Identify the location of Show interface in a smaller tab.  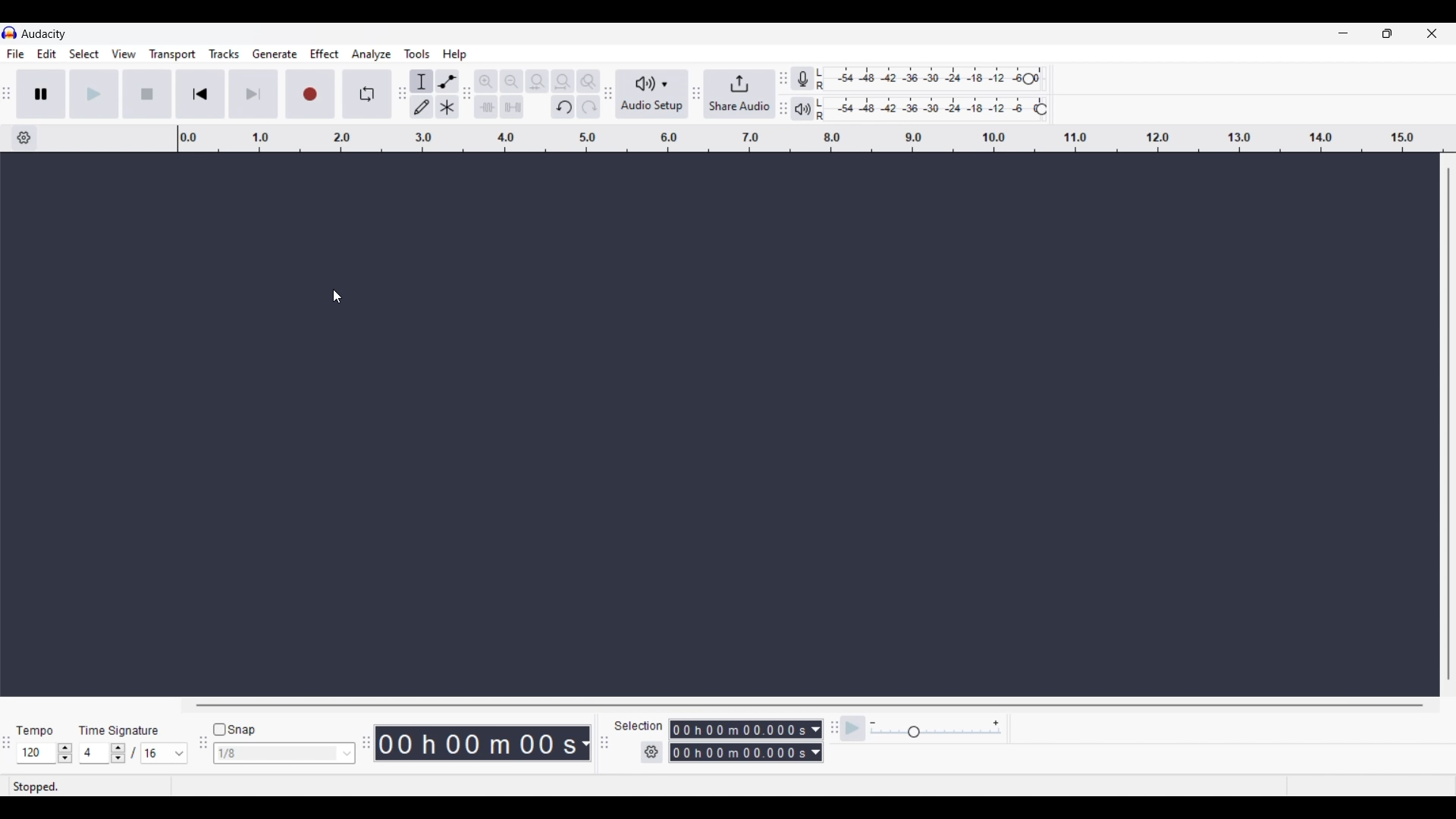
(1387, 33).